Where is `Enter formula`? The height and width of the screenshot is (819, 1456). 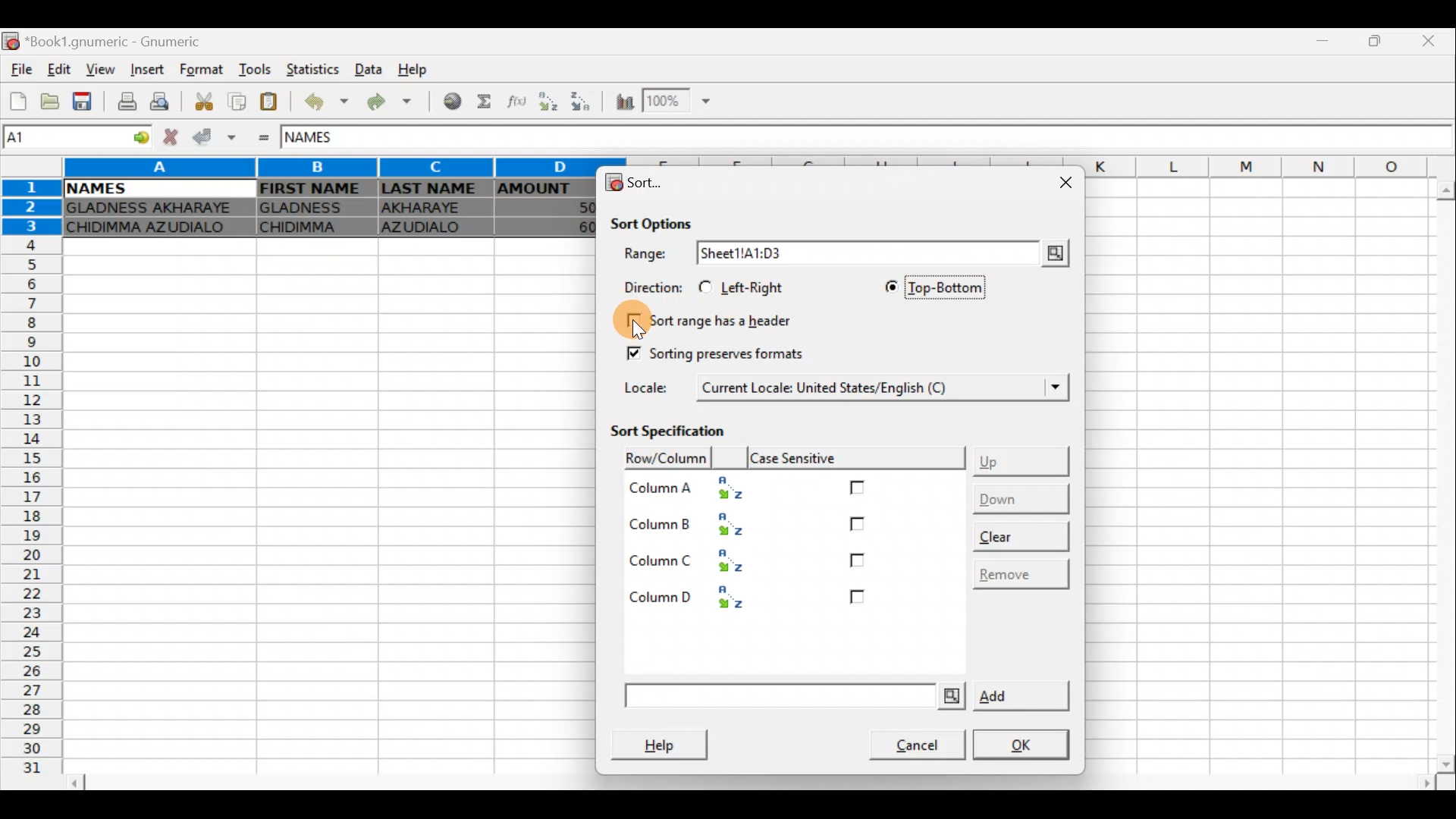
Enter formula is located at coordinates (265, 140).